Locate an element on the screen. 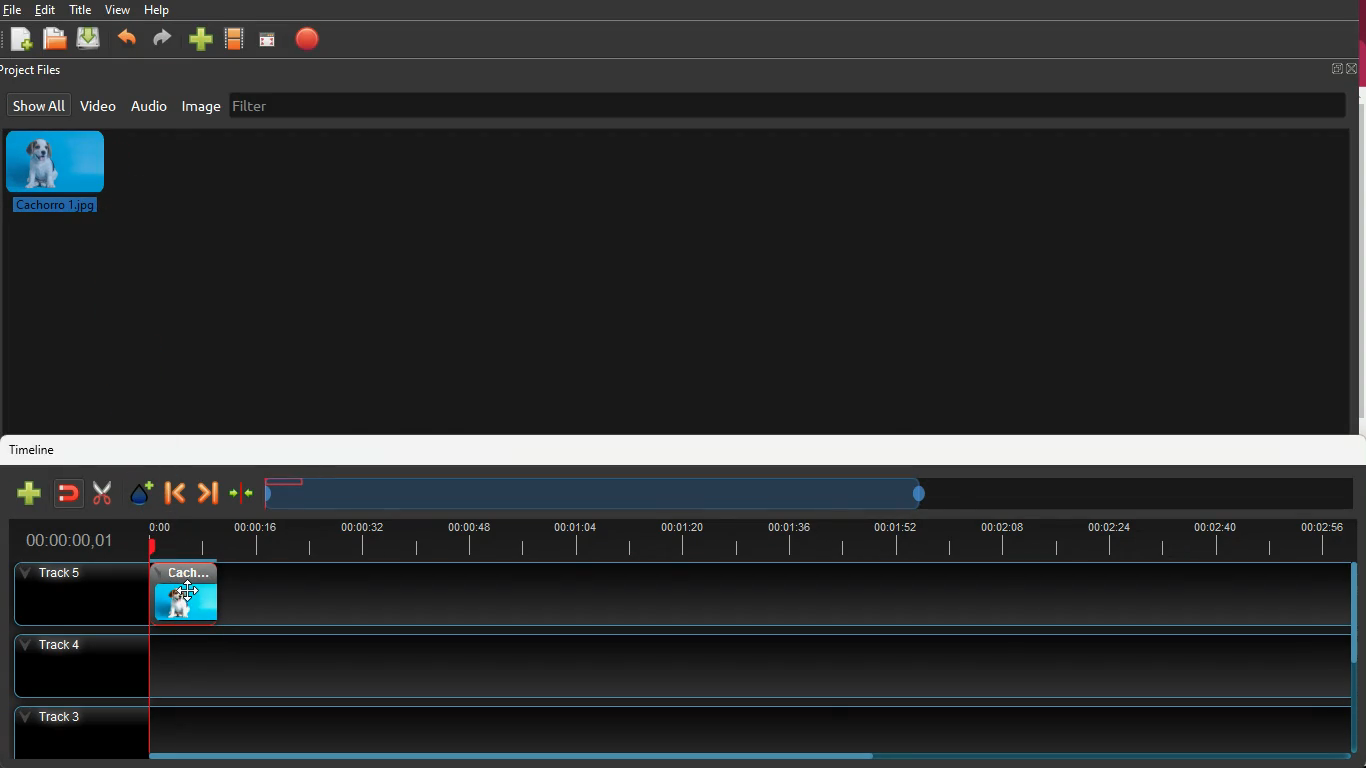  track is located at coordinates (667, 666).